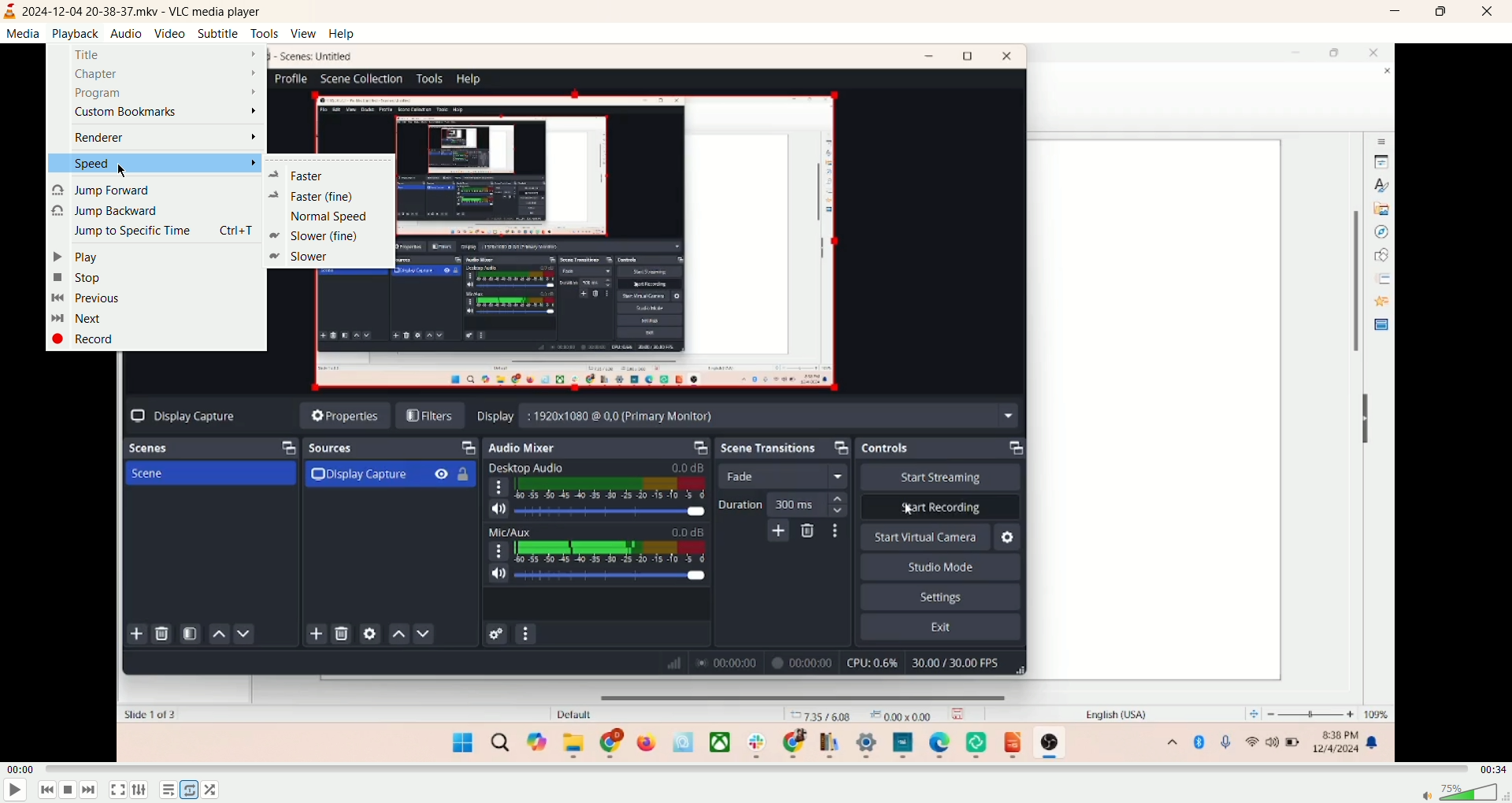 This screenshot has height=803, width=1512. What do you see at coordinates (169, 34) in the screenshot?
I see `video` at bounding box center [169, 34].